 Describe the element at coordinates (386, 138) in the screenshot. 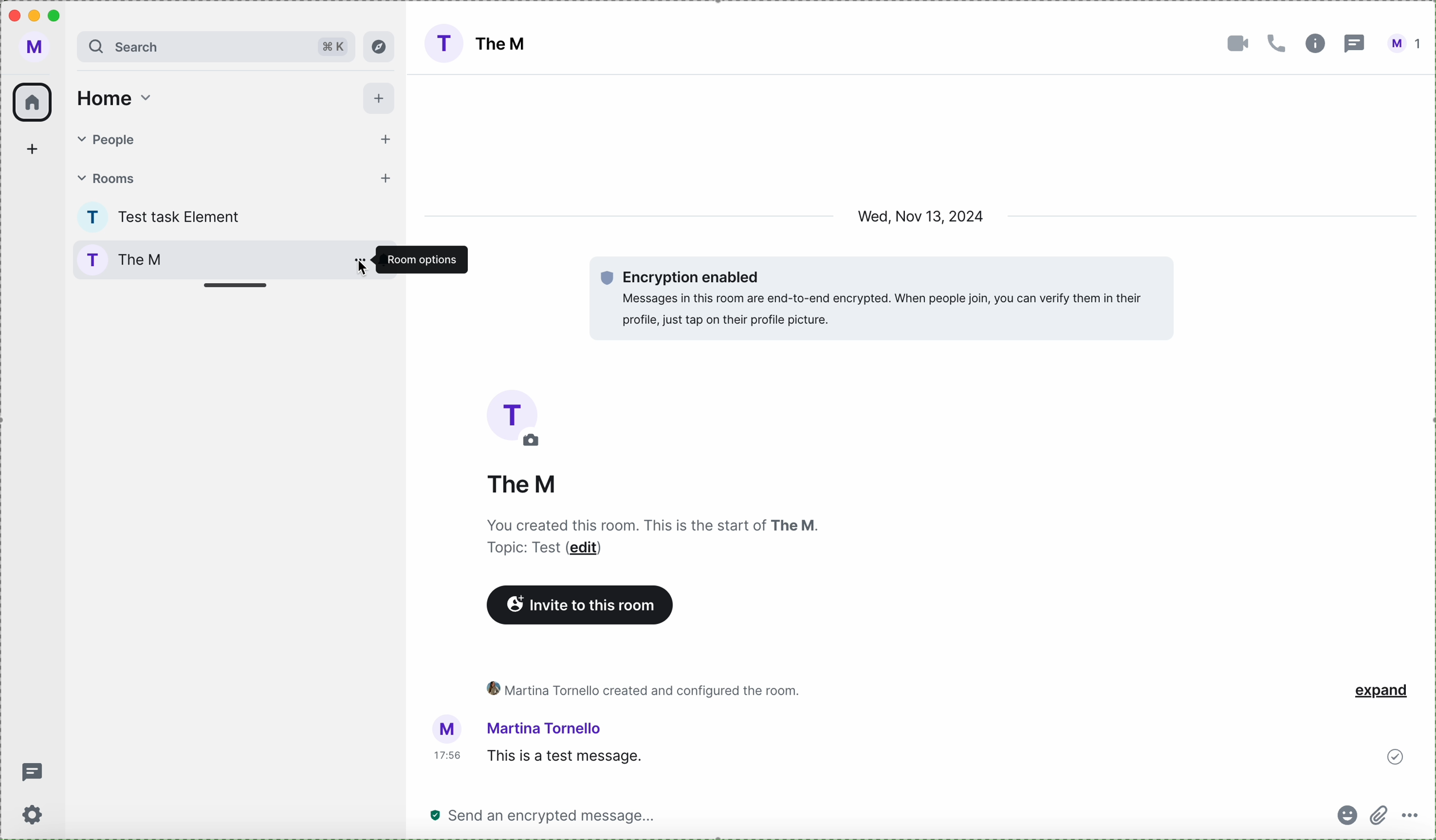

I see `add` at that location.